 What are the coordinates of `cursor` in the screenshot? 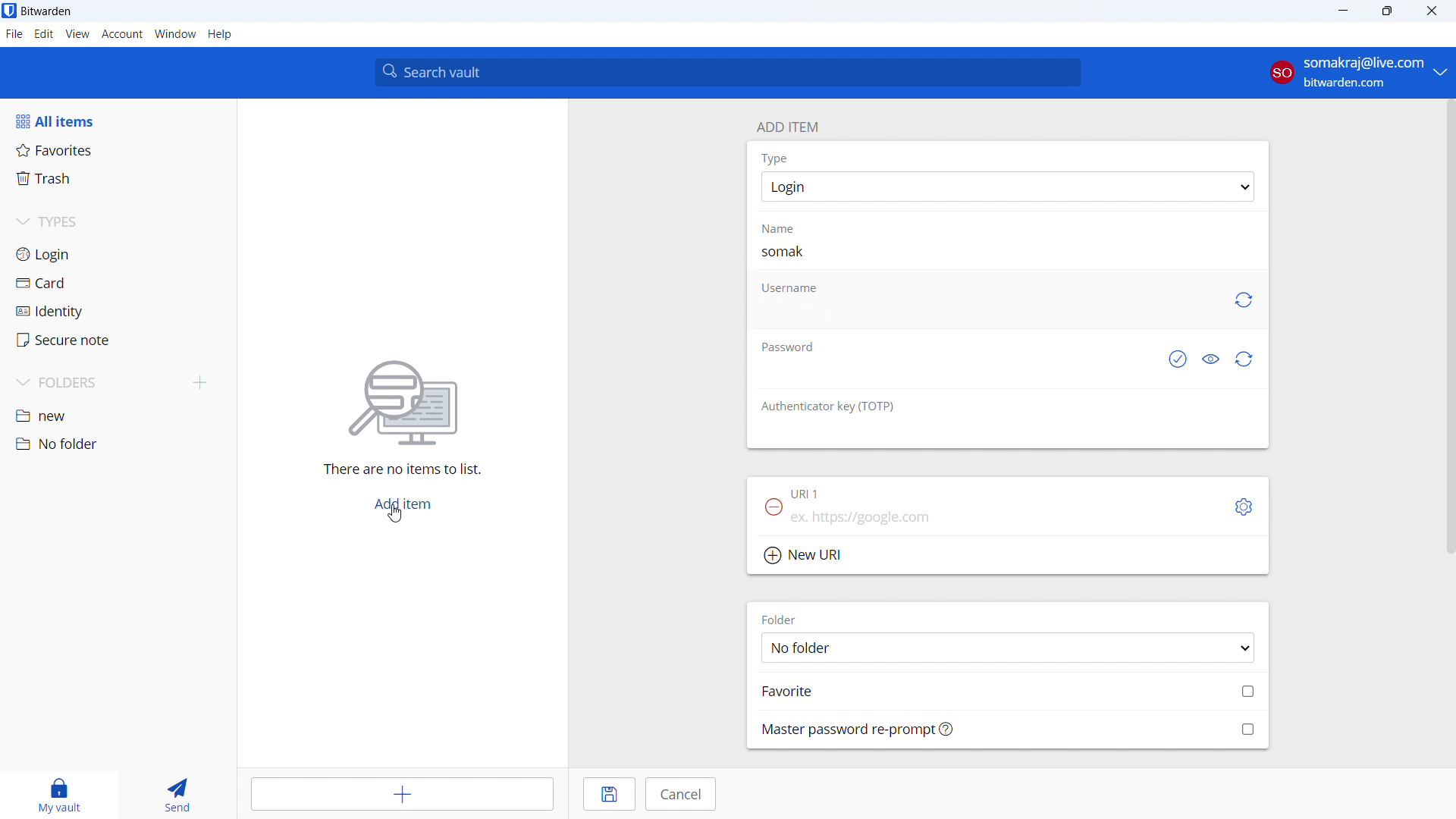 It's located at (397, 514).